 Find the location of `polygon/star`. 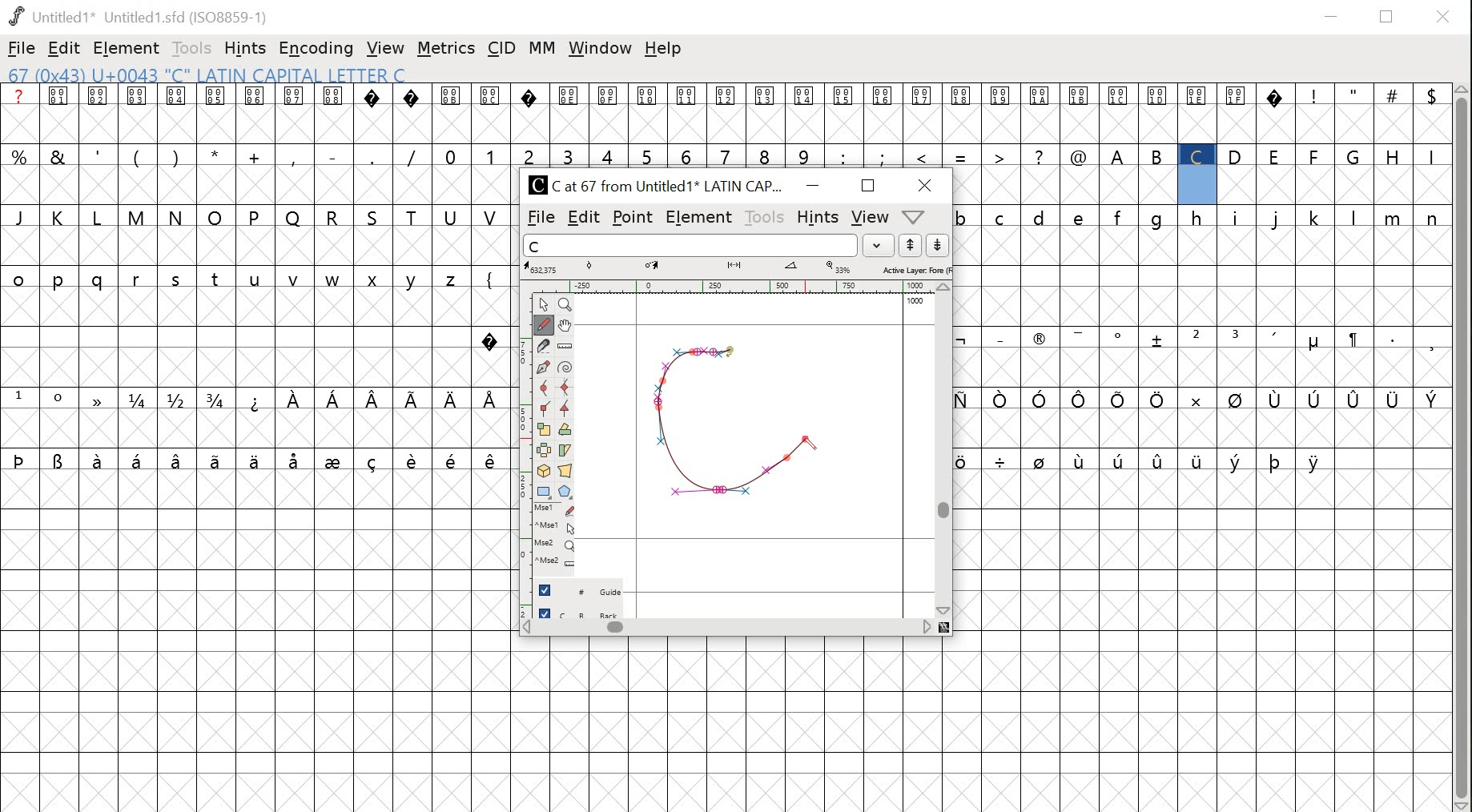

polygon/star is located at coordinates (566, 492).